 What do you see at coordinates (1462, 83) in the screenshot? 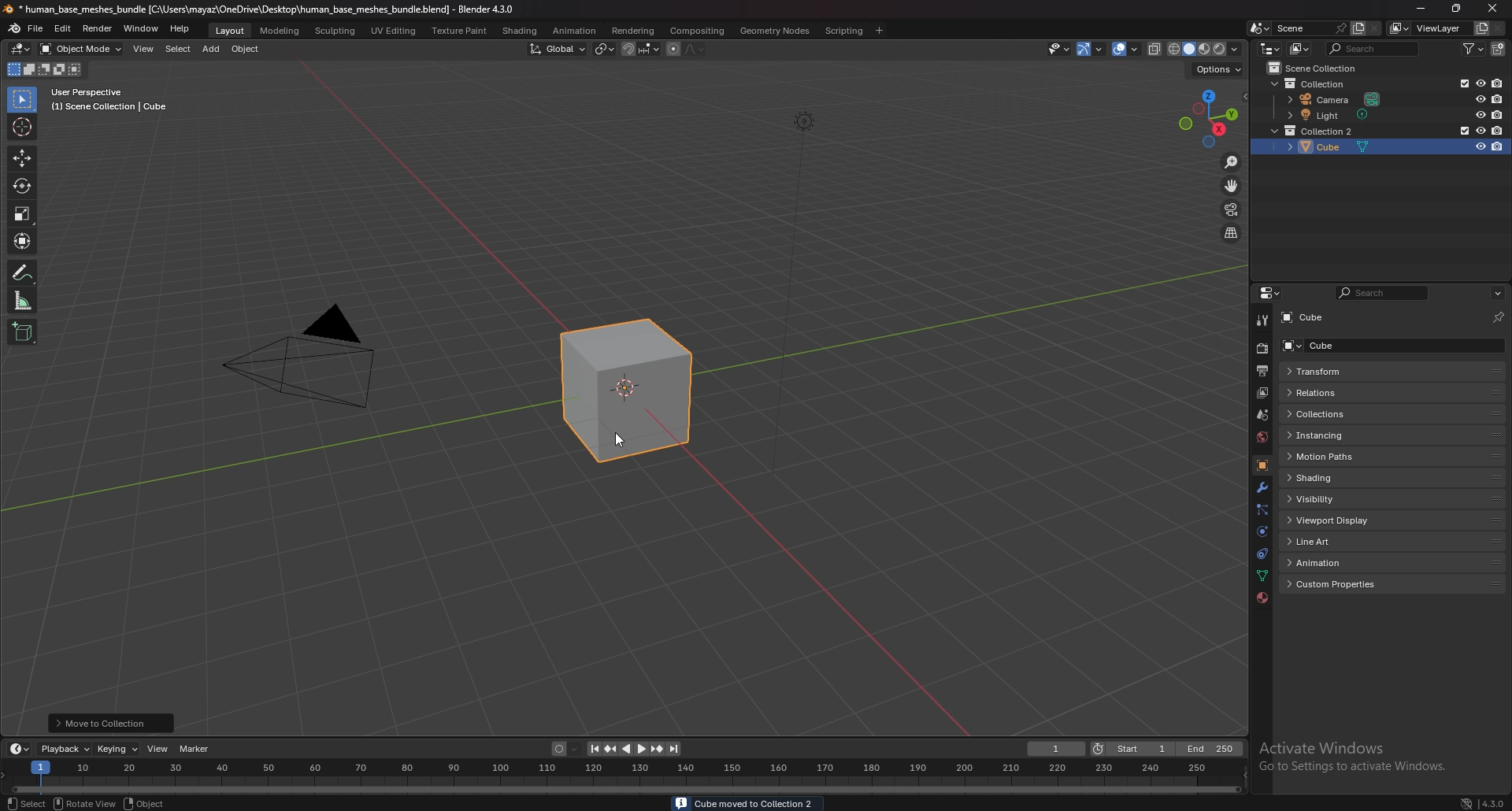
I see `exclude in viewport` at bounding box center [1462, 83].